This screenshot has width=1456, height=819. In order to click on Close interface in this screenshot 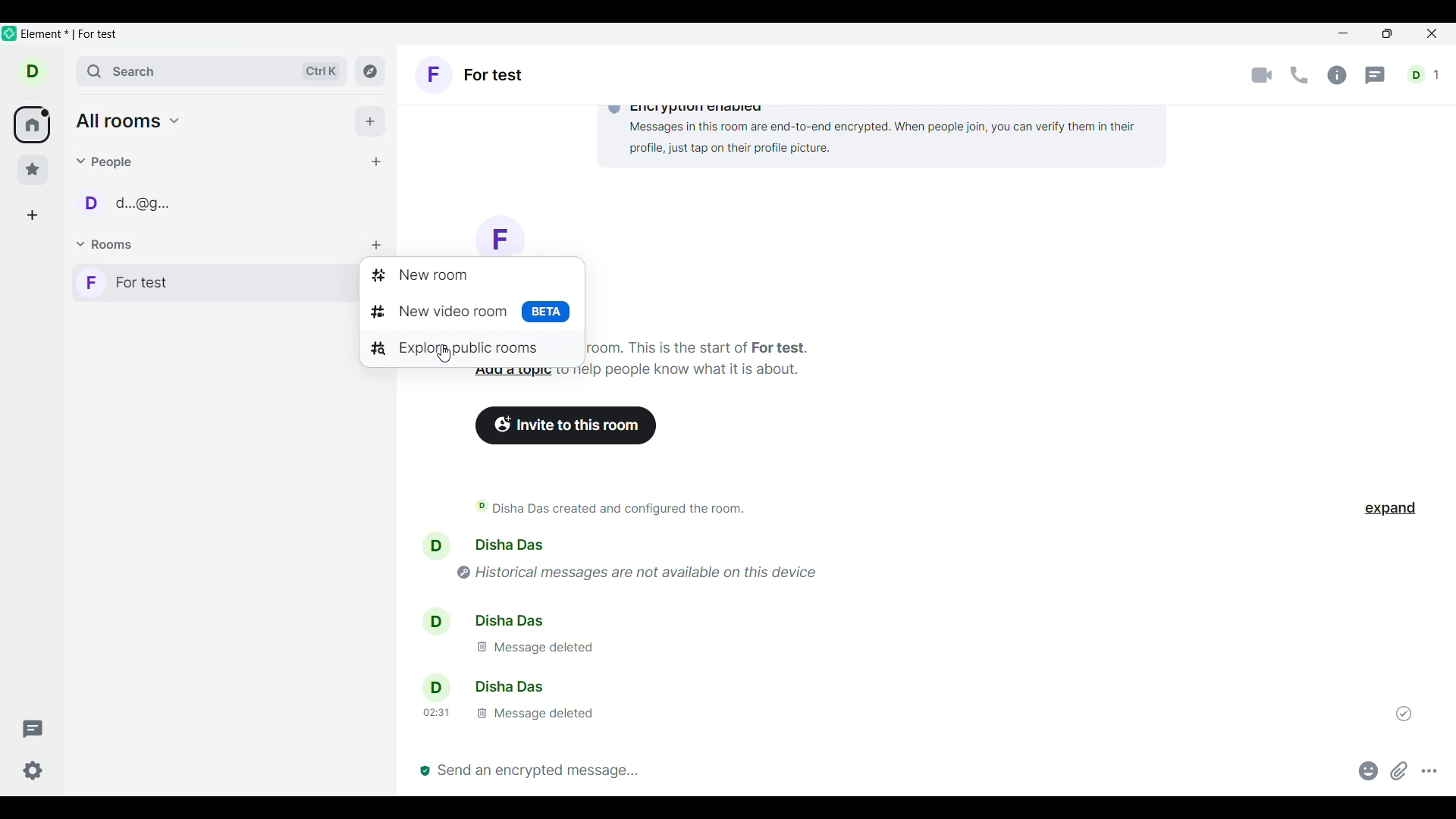, I will do `click(1432, 33)`.